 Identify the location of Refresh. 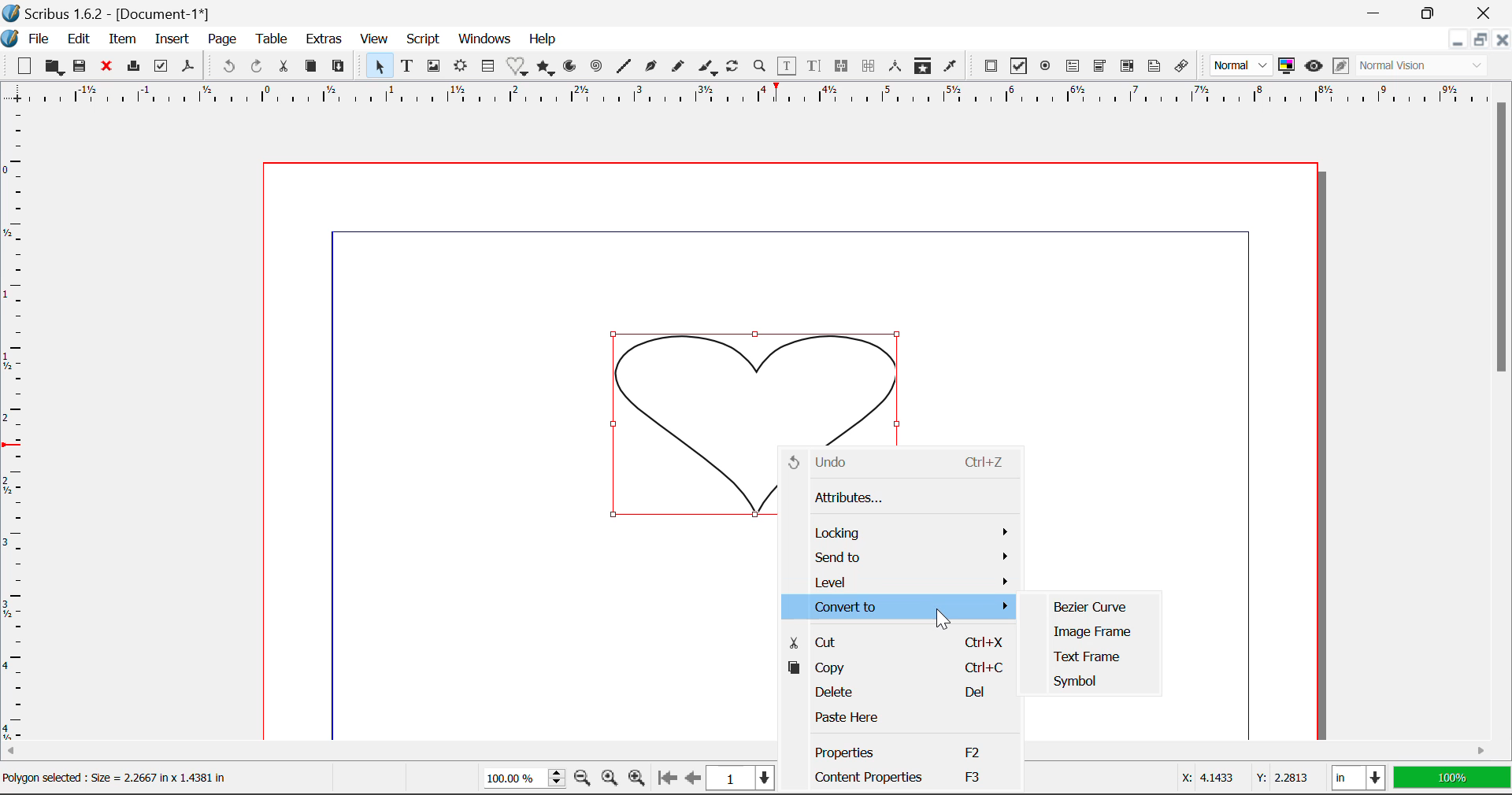
(736, 68).